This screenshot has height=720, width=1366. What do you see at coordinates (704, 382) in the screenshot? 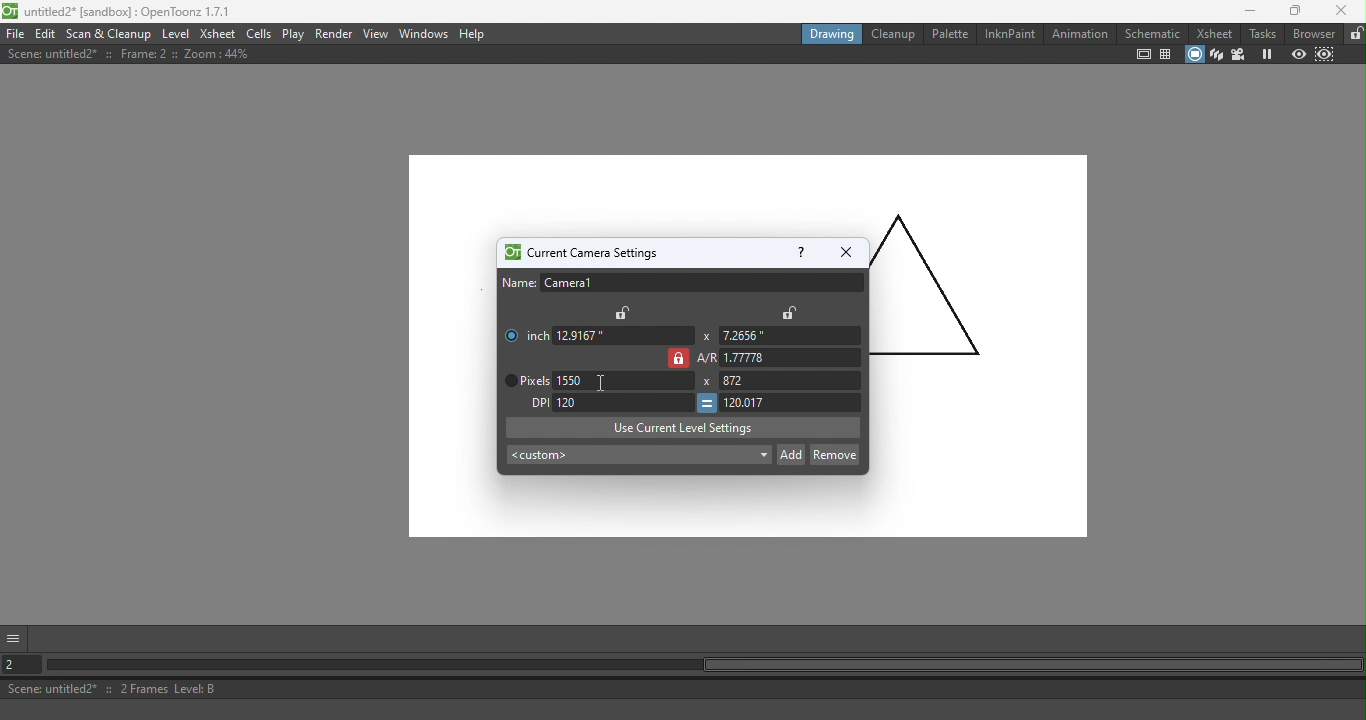
I see `X` at bounding box center [704, 382].